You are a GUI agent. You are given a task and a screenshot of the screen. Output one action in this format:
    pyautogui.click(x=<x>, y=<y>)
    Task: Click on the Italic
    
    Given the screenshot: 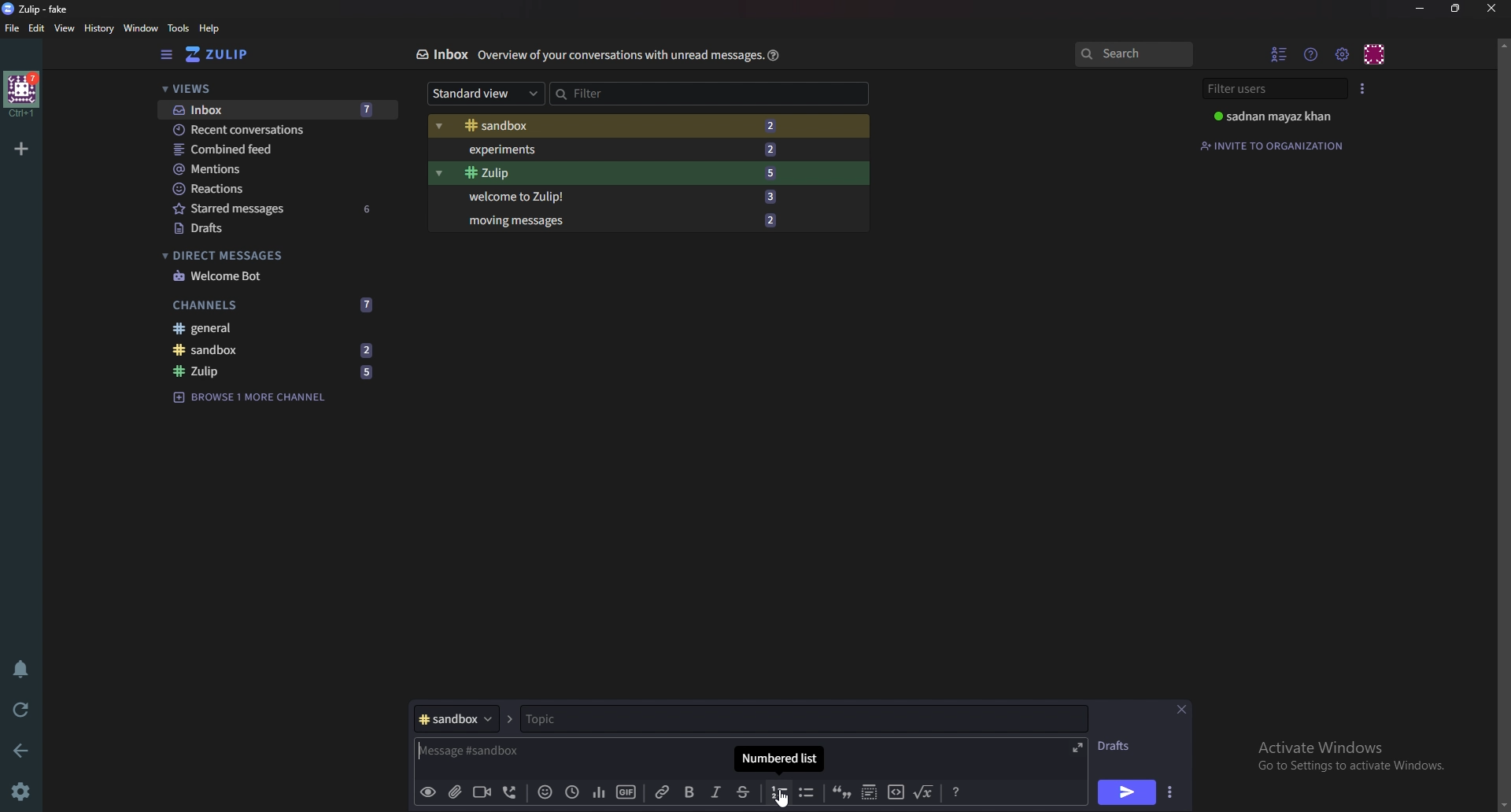 What is the action you would take?
    pyautogui.click(x=715, y=795)
    